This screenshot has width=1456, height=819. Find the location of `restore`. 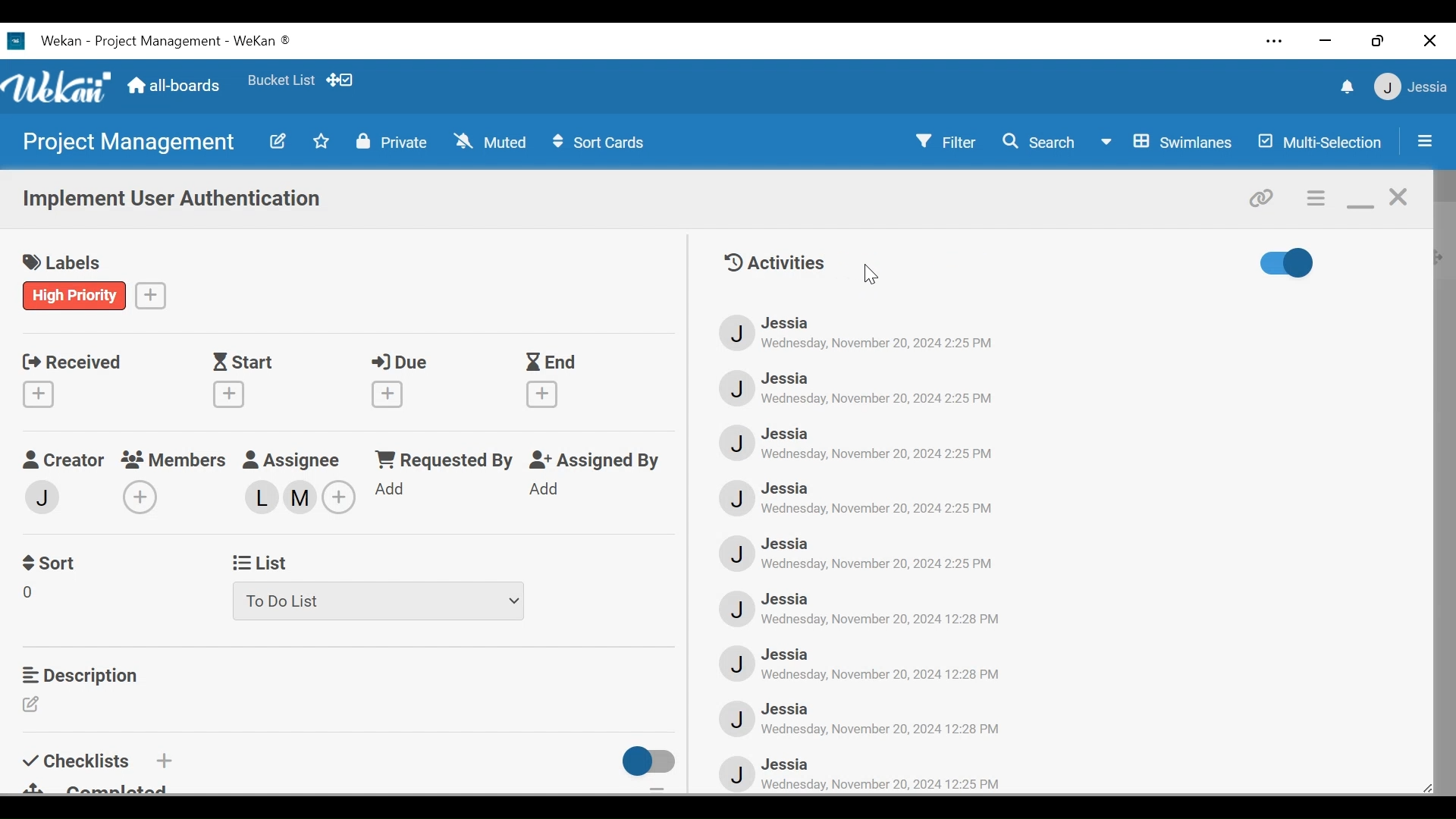

restore is located at coordinates (1379, 40).